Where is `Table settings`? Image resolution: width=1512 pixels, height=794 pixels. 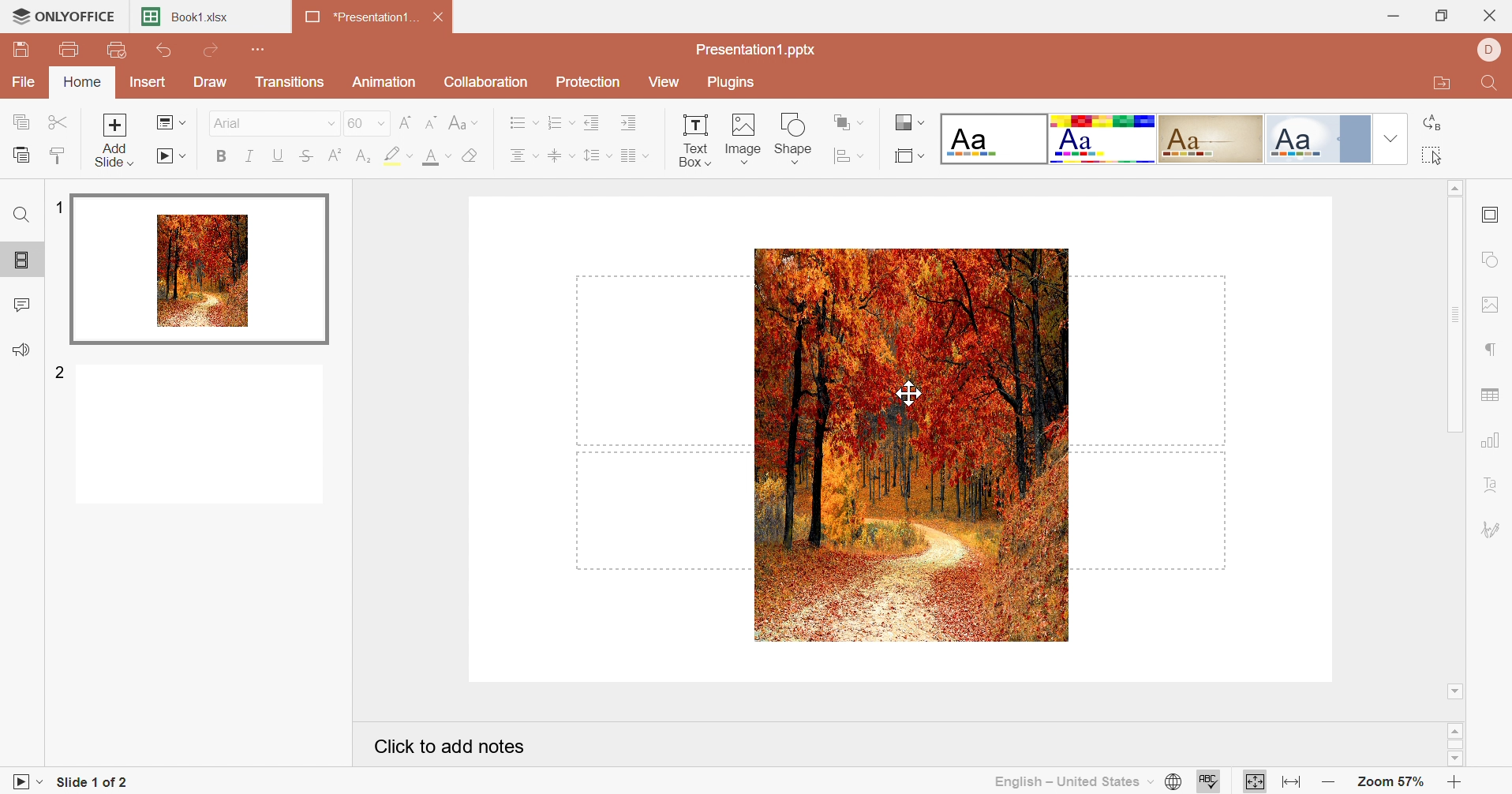
Table settings is located at coordinates (1490, 395).